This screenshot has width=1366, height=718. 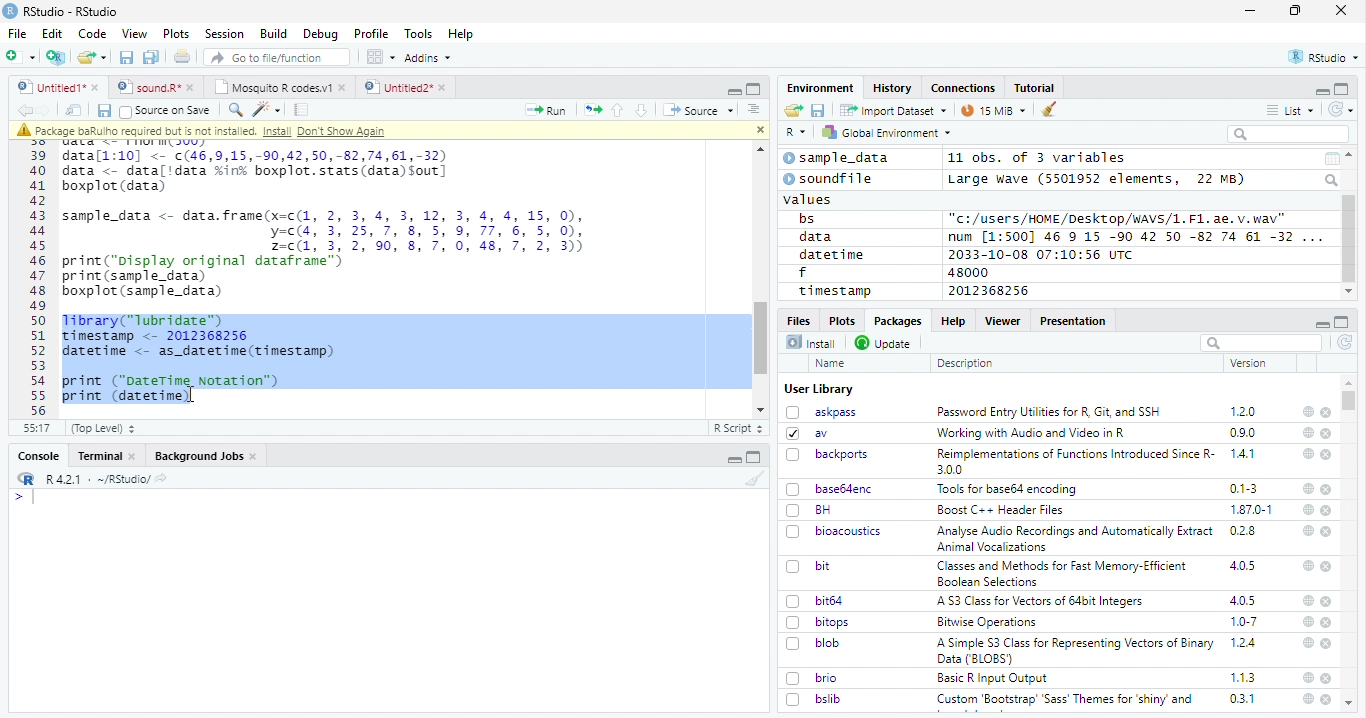 What do you see at coordinates (794, 111) in the screenshot?
I see `Load workspace` at bounding box center [794, 111].